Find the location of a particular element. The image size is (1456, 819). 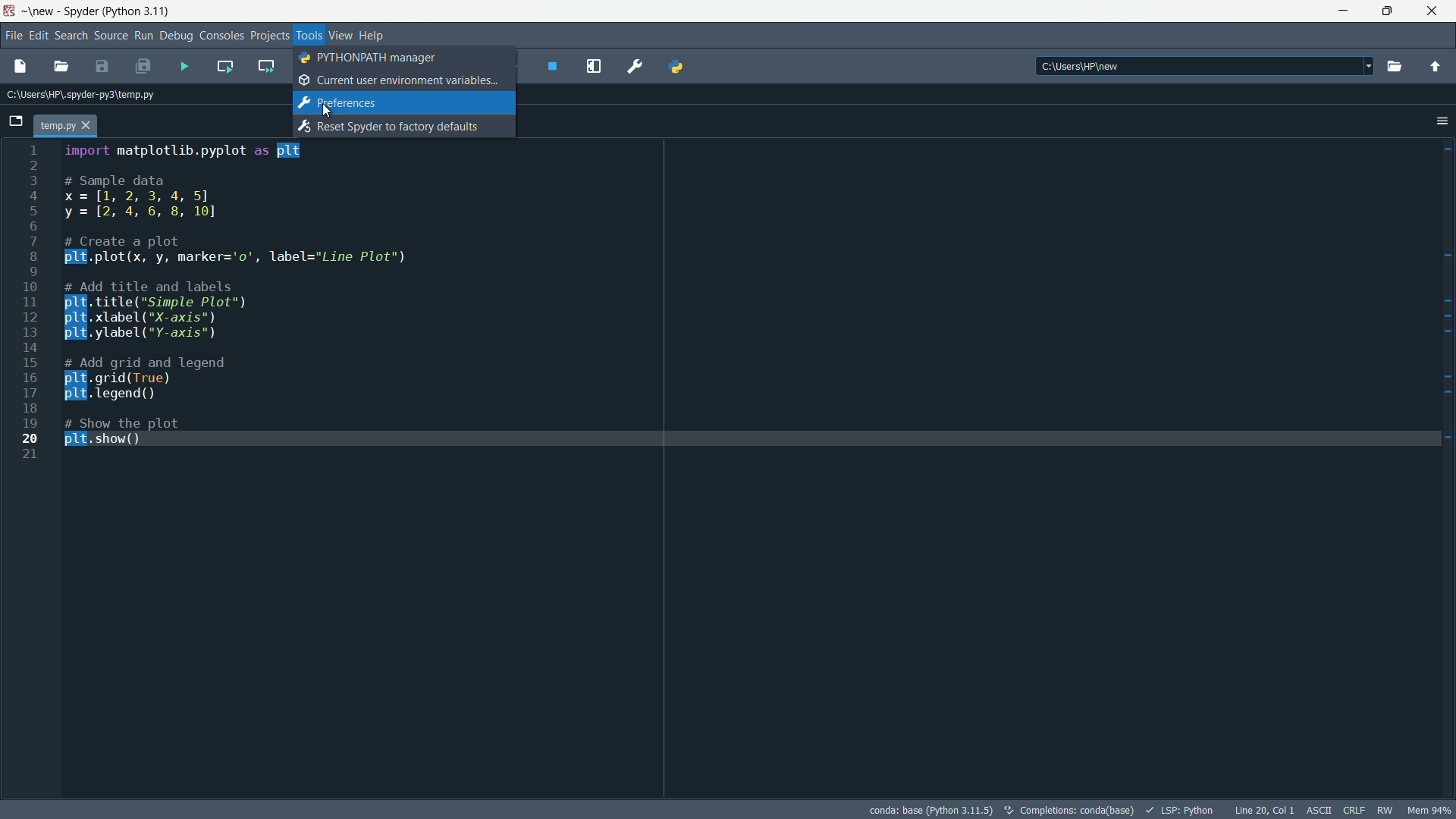

pythonpath manager is located at coordinates (371, 58).